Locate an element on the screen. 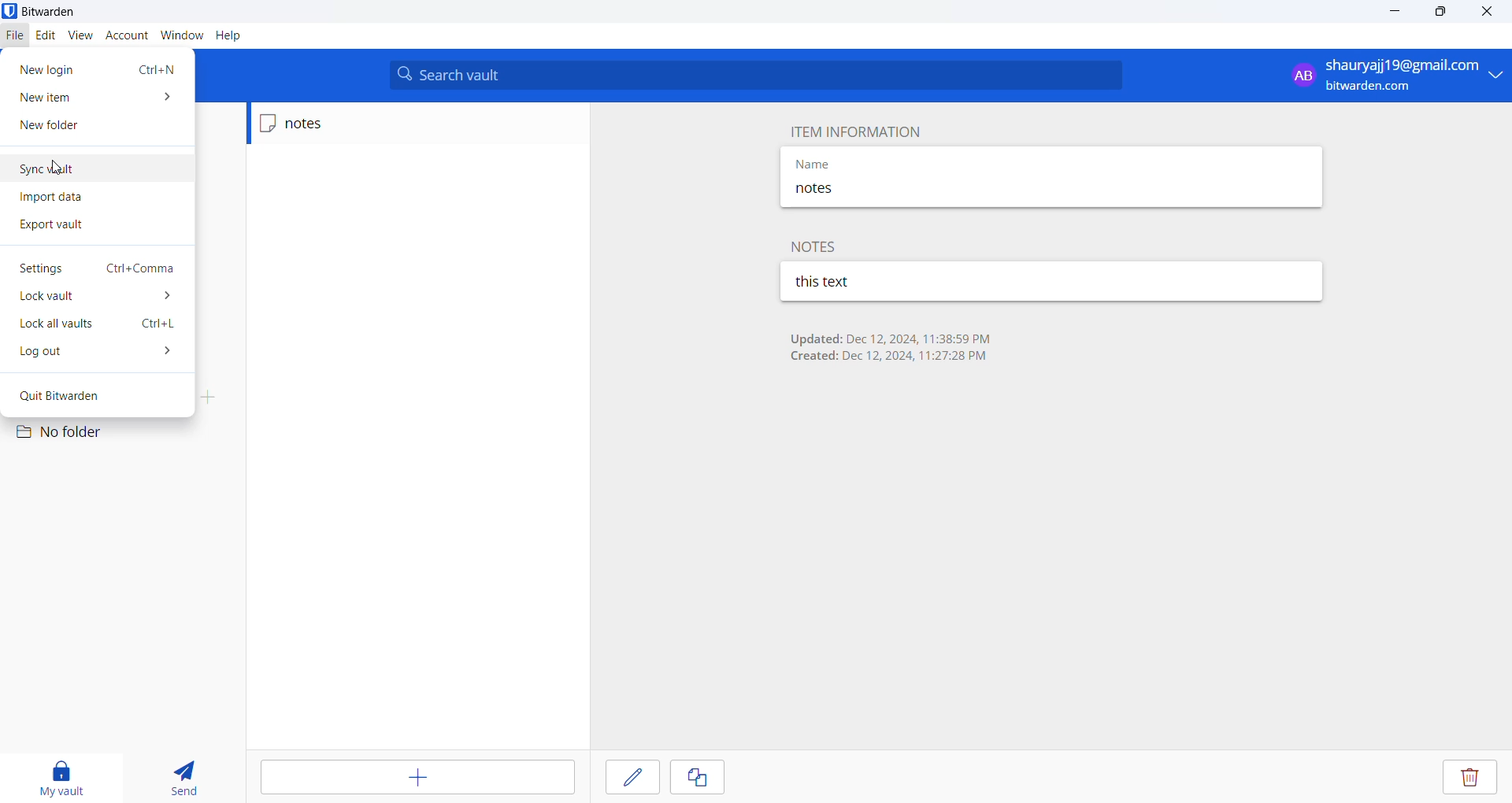 The image size is (1512, 803). minimize is located at coordinates (1391, 13).